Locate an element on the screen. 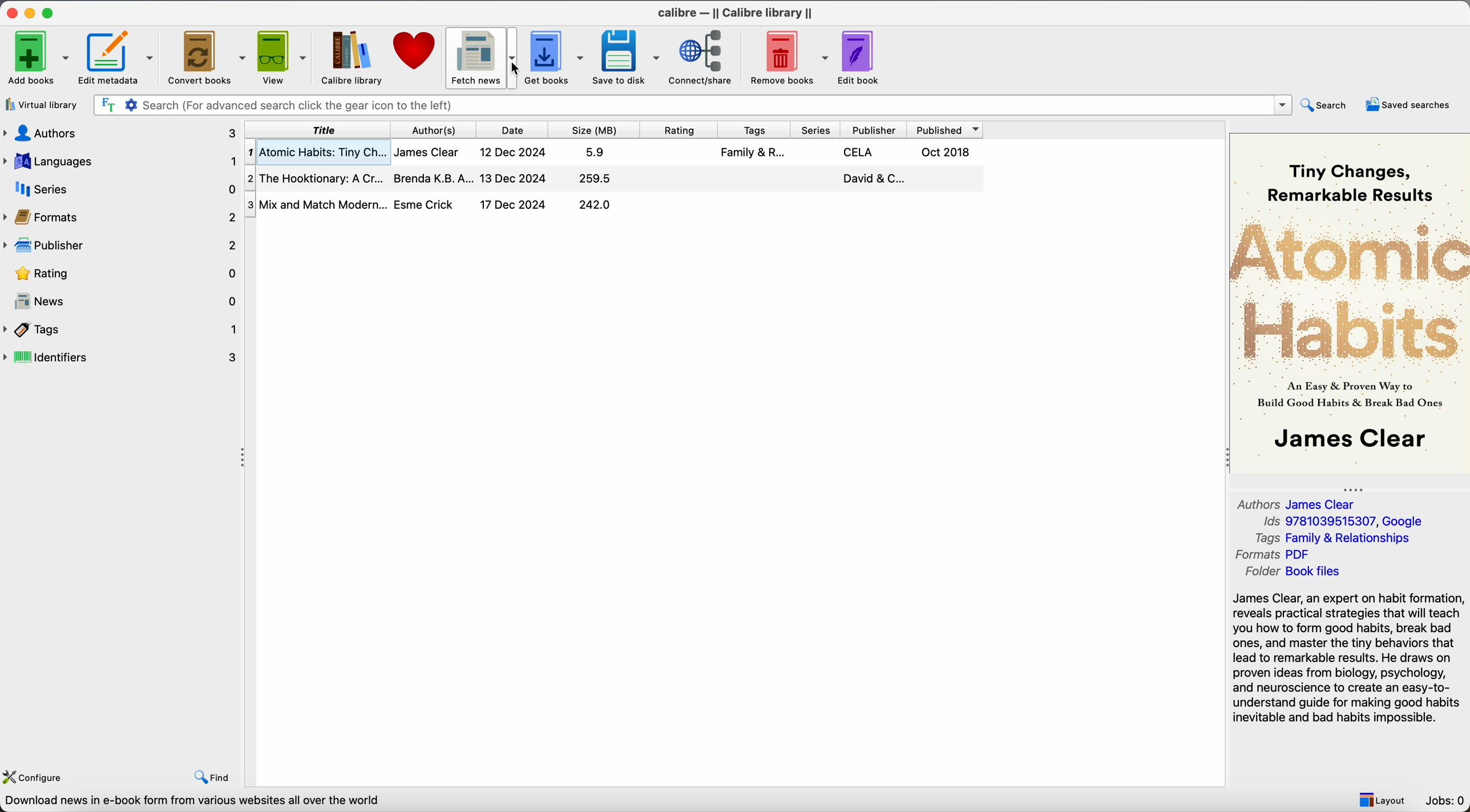  author(s) is located at coordinates (439, 130).